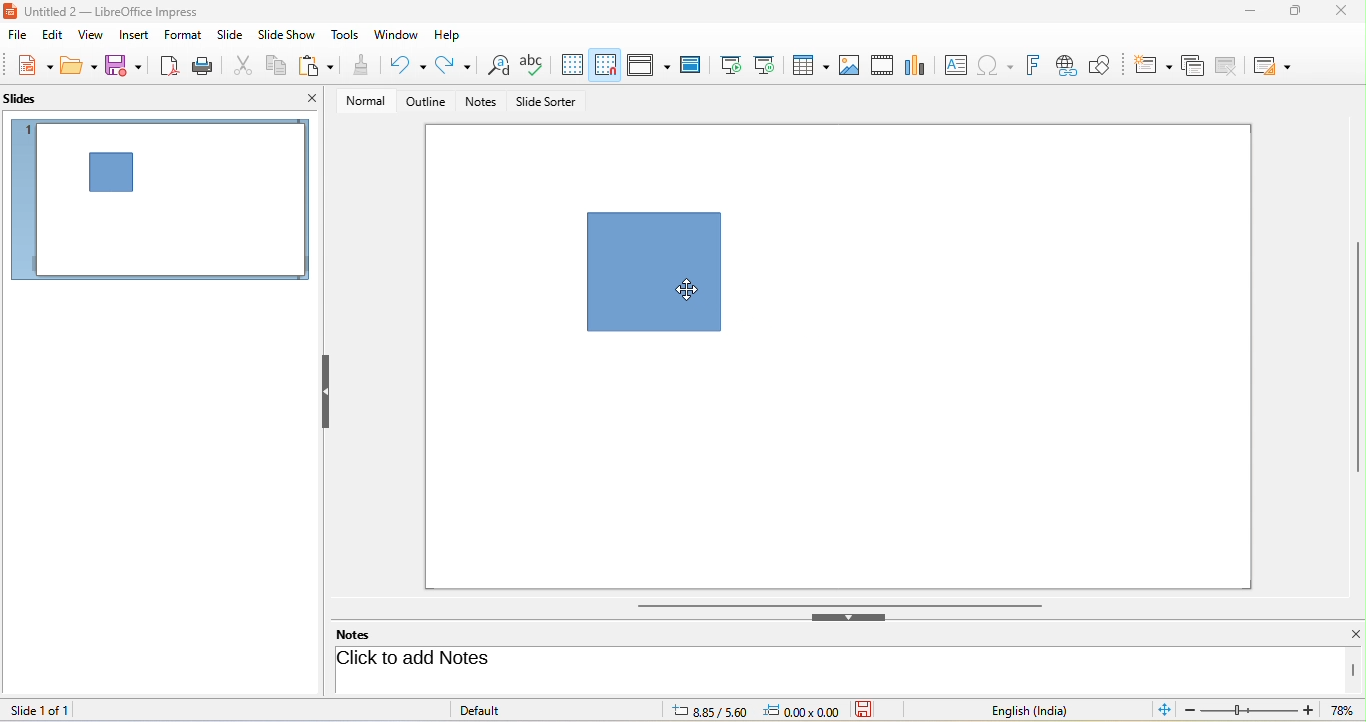 This screenshot has height=722, width=1366. What do you see at coordinates (422, 102) in the screenshot?
I see `outline` at bounding box center [422, 102].